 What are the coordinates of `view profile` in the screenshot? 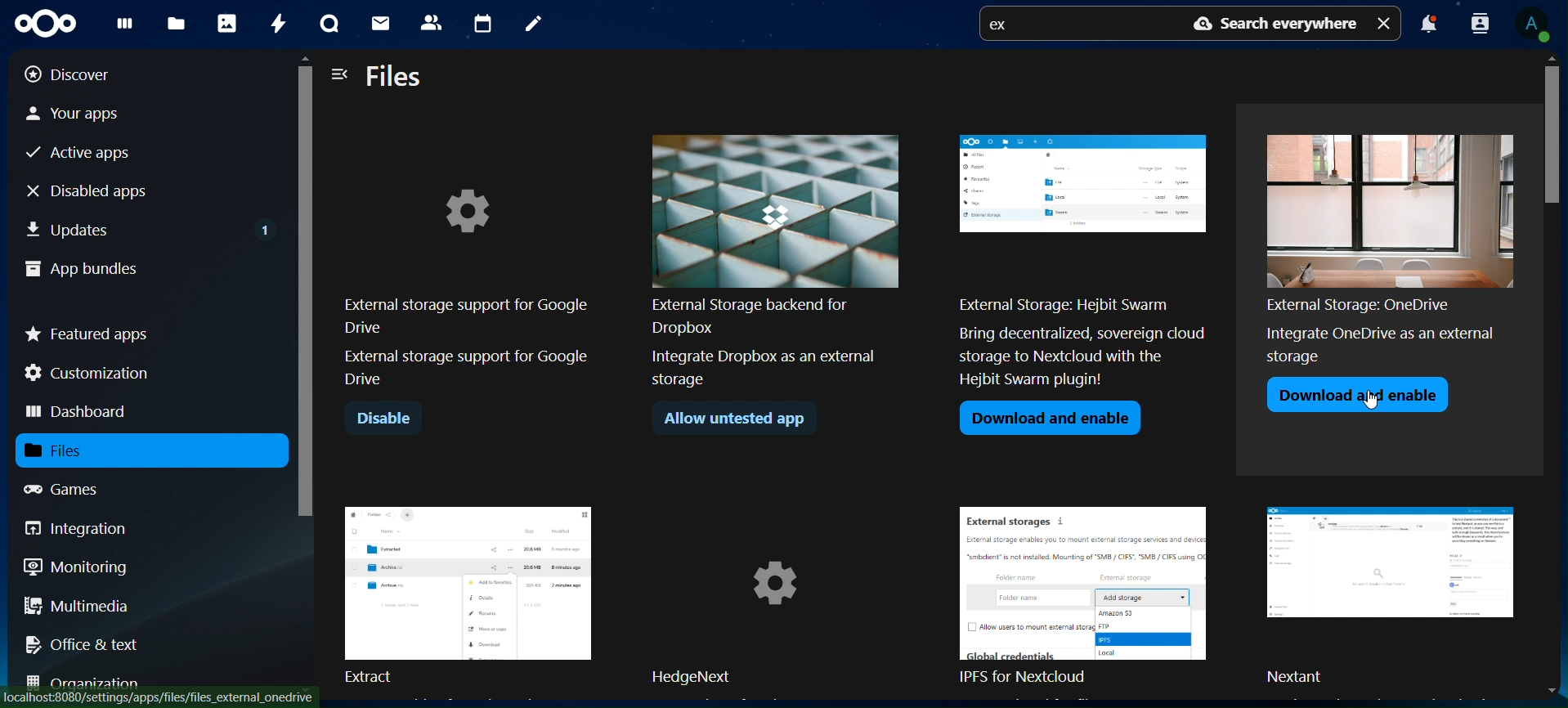 It's located at (1538, 25).